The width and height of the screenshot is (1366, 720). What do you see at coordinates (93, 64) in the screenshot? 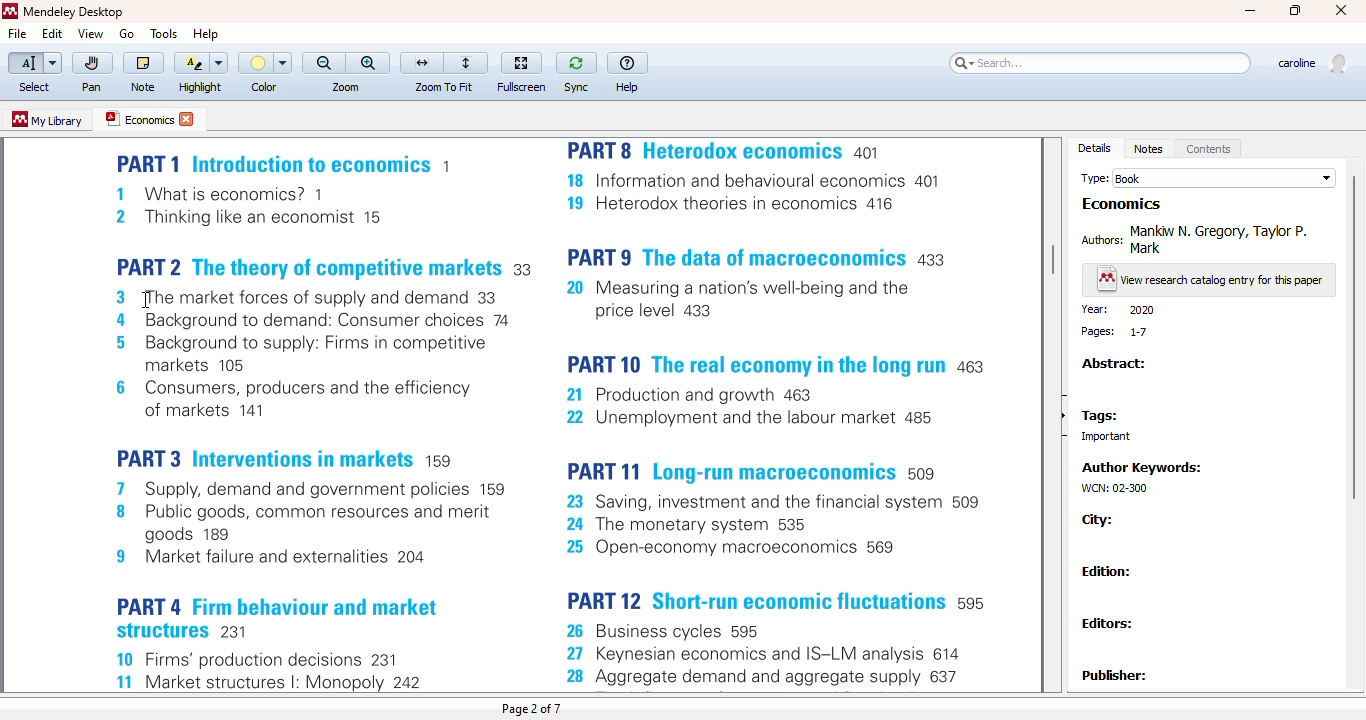
I see `pan` at bounding box center [93, 64].